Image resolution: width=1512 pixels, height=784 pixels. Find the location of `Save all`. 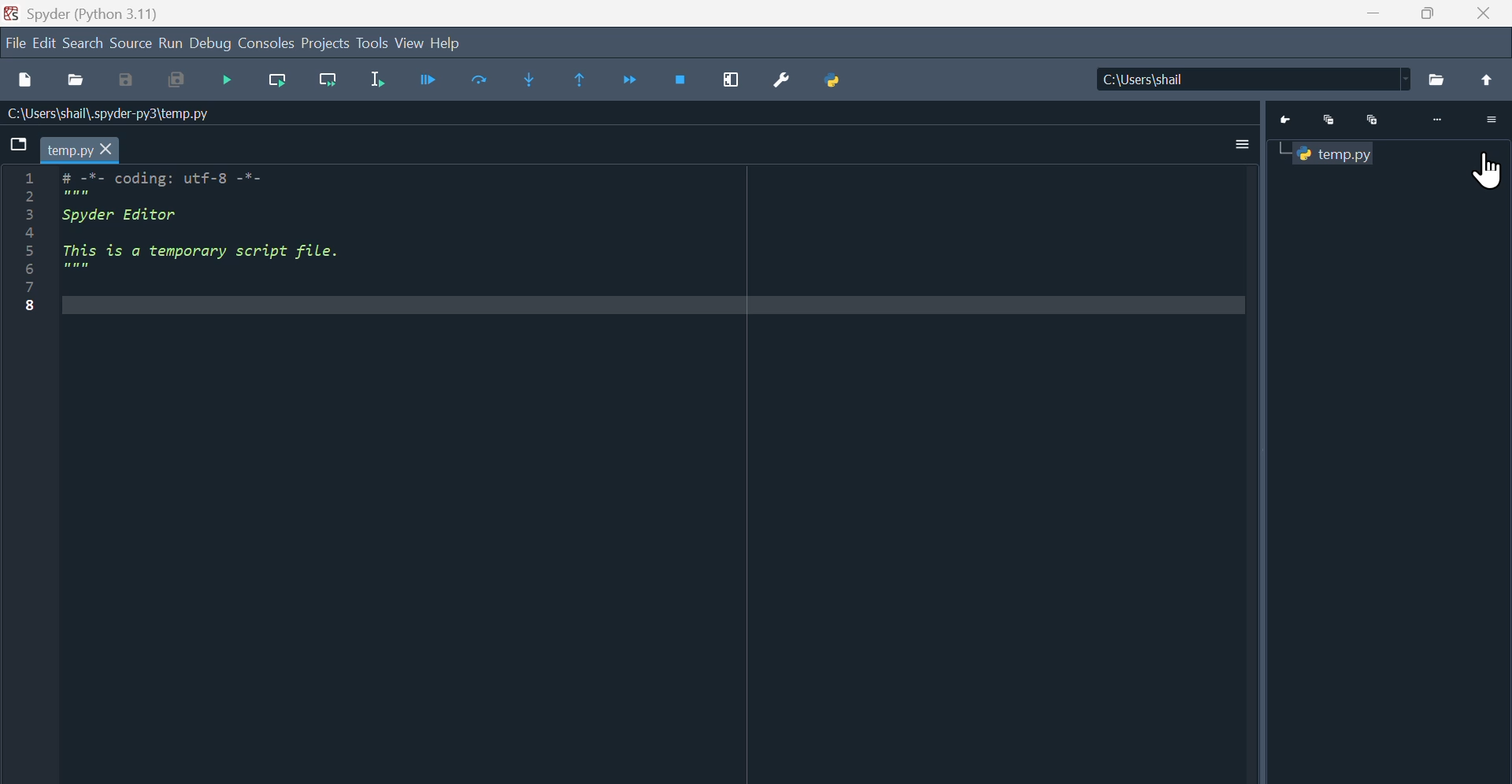

Save all is located at coordinates (176, 82).